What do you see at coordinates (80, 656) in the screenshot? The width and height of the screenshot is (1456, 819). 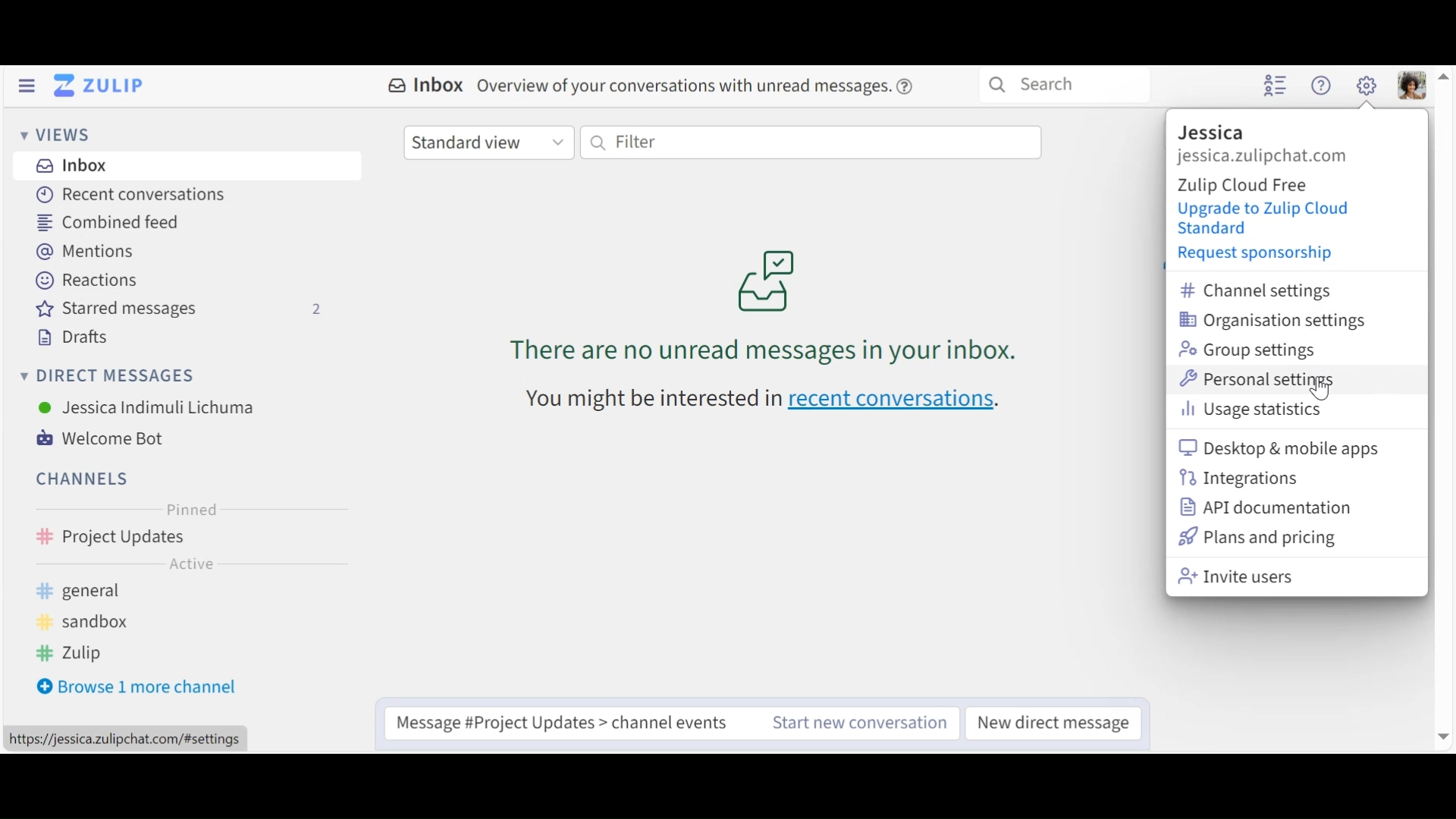 I see `zulip` at bounding box center [80, 656].